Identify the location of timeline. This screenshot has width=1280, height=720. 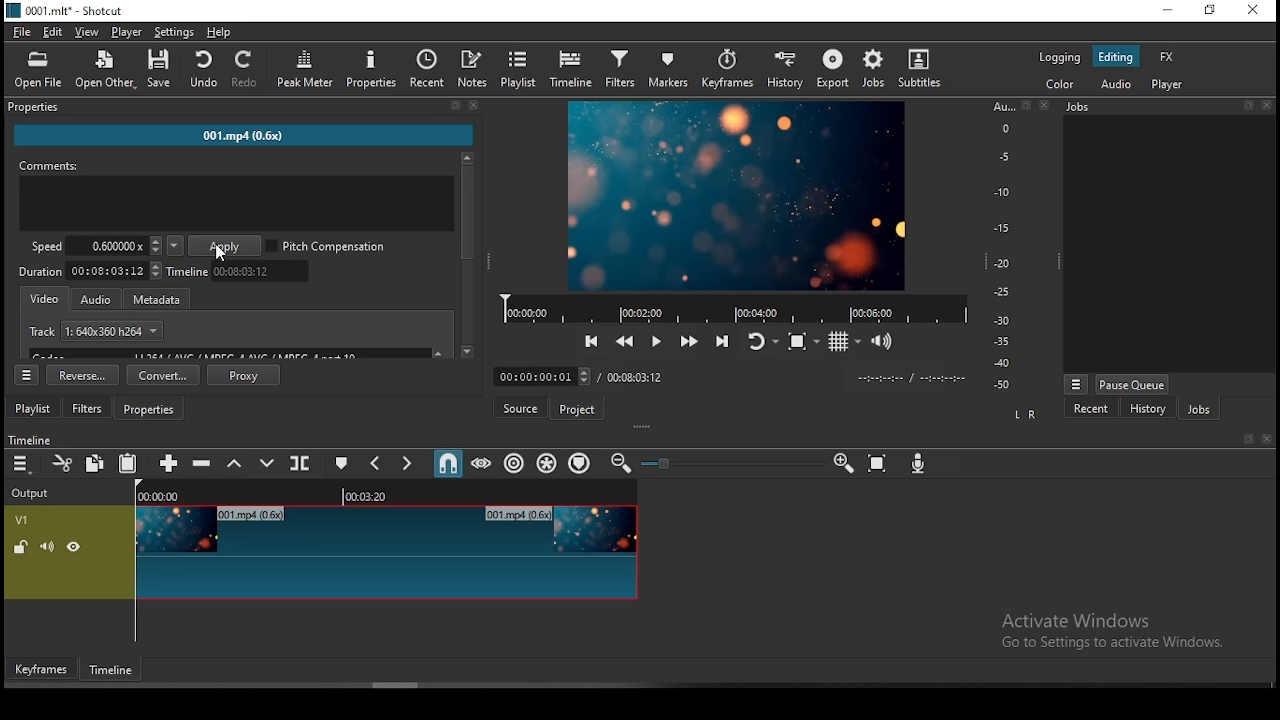
(575, 70).